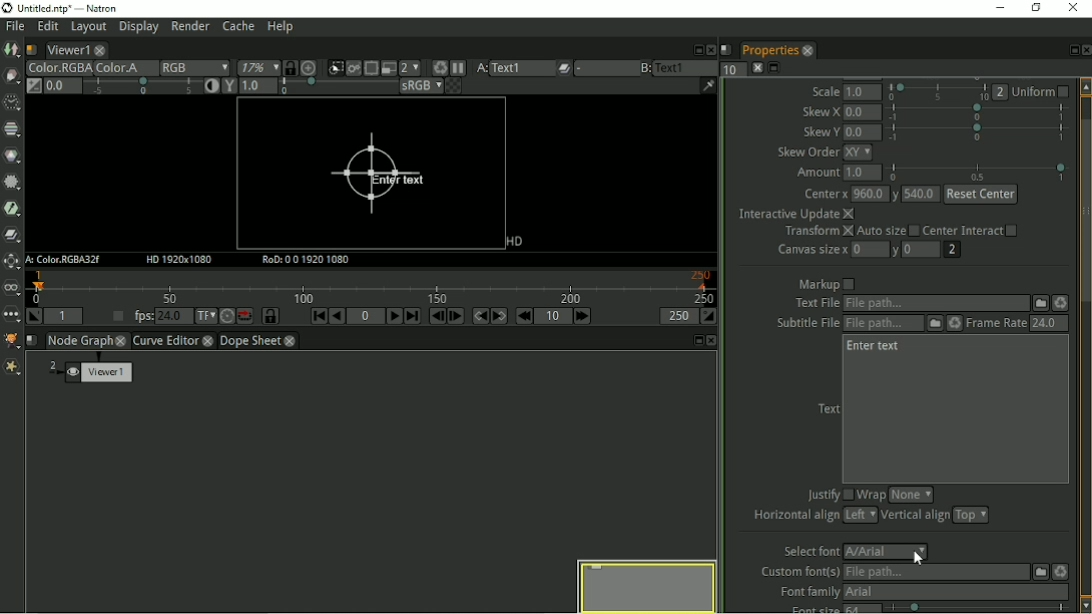 Image resolution: width=1092 pixels, height=614 pixels. I want to click on Close, so click(1085, 50).